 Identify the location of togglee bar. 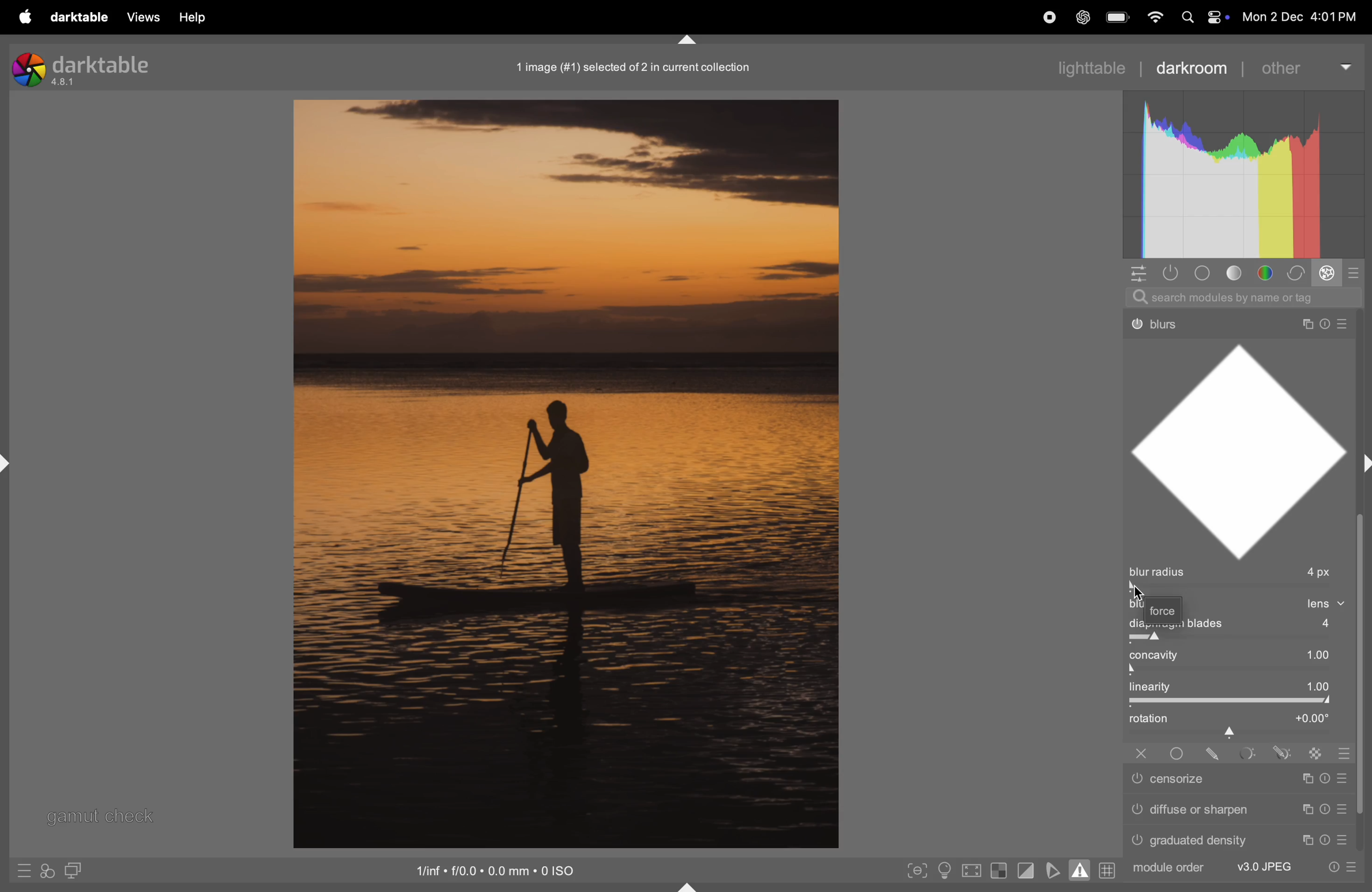
(1234, 701).